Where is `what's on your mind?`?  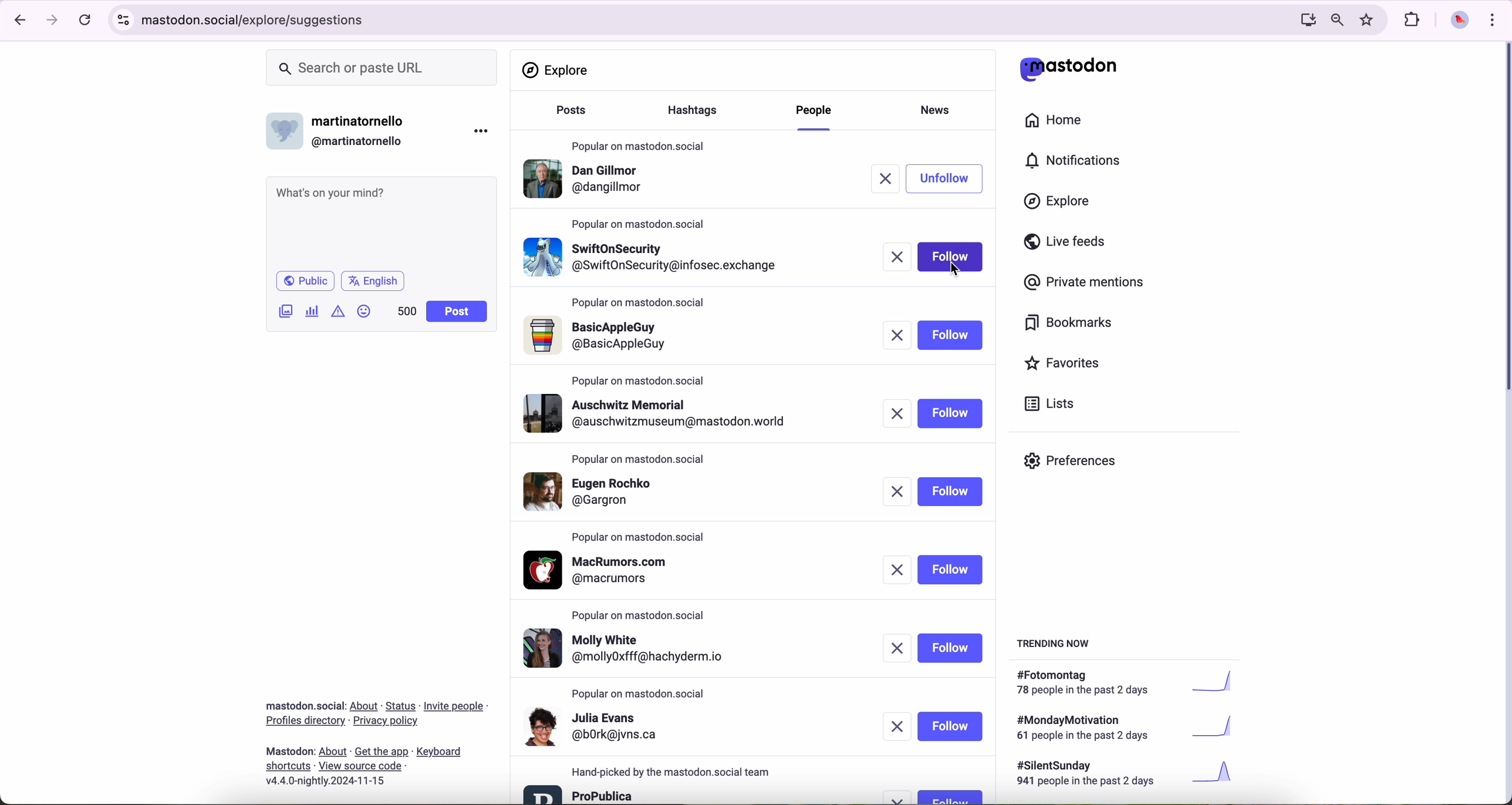
what's on your mind? is located at coordinates (380, 221).